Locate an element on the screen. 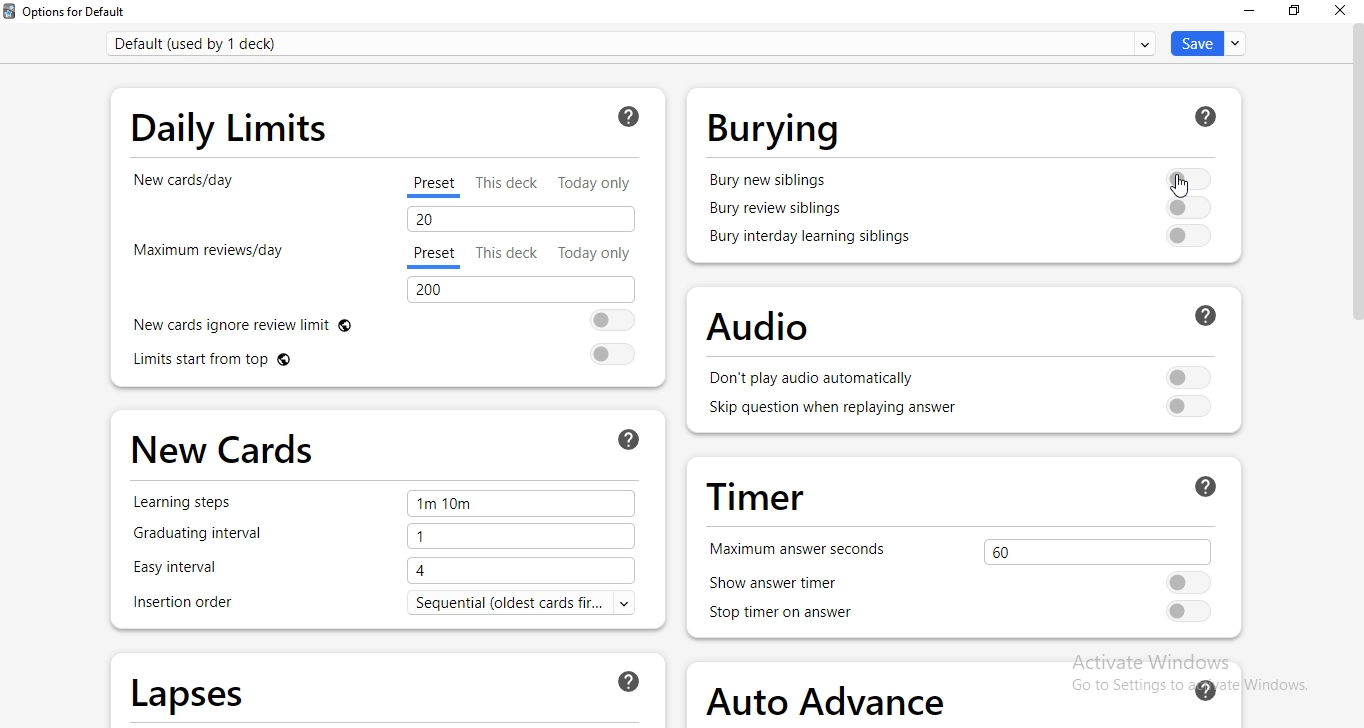 Image resolution: width=1364 pixels, height=728 pixels. bury interday learning siblings is located at coordinates (811, 239).